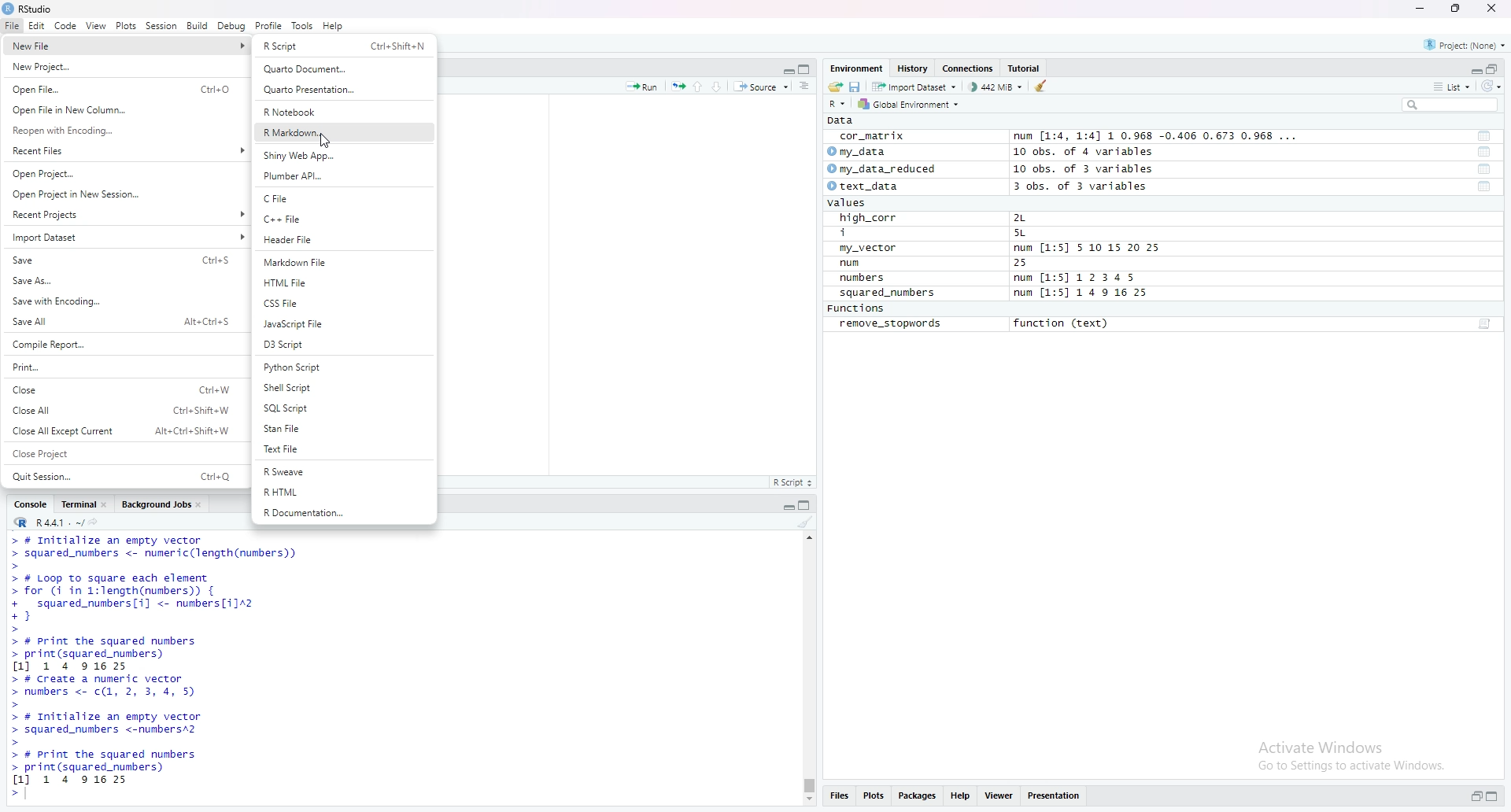 The height and width of the screenshot is (812, 1511). I want to click on Close Project, so click(119, 452).